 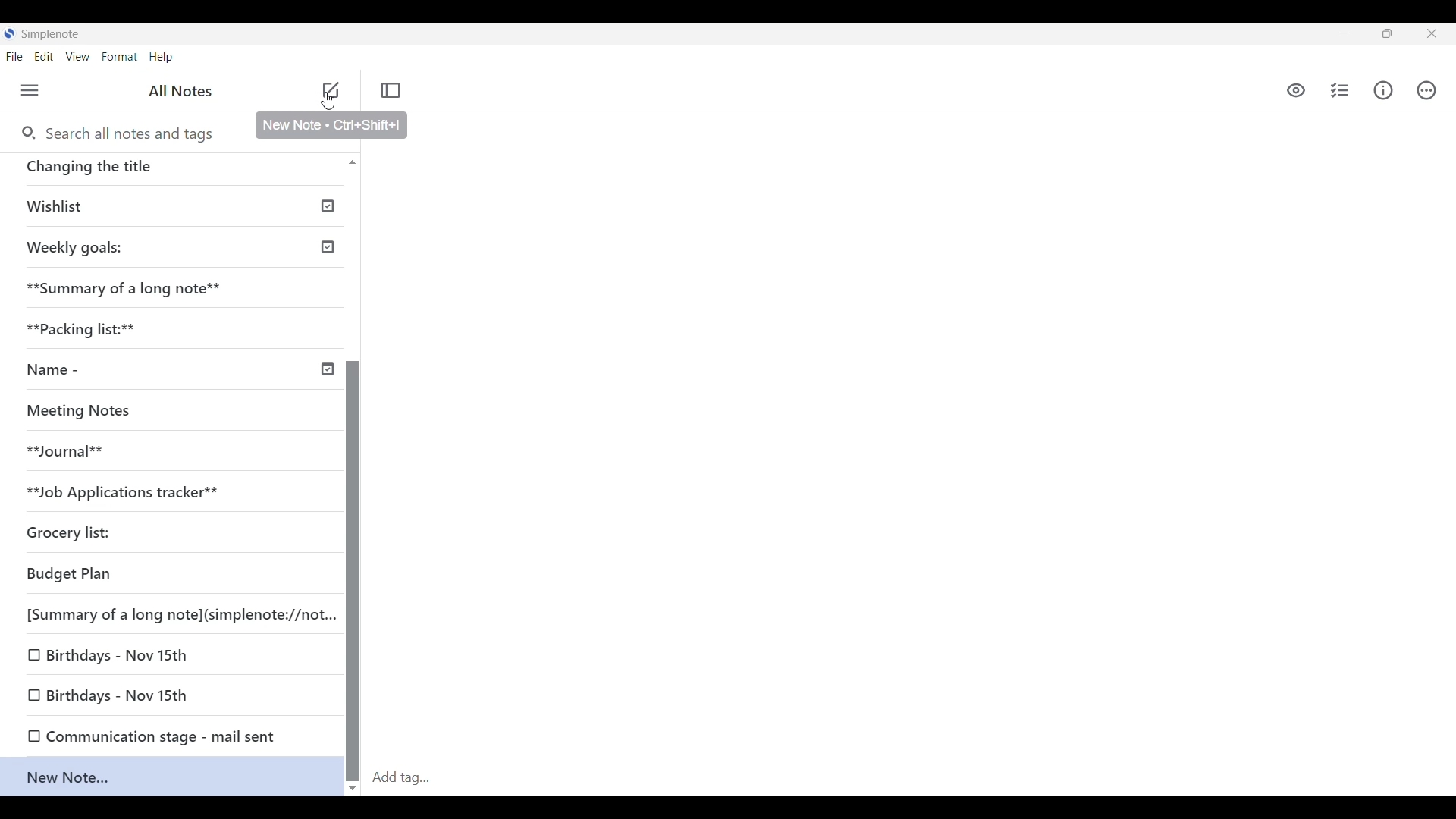 What do you see at coordinates (77, 57) in the screenshot?
I see `View menu` at bounding box center [77, 57].